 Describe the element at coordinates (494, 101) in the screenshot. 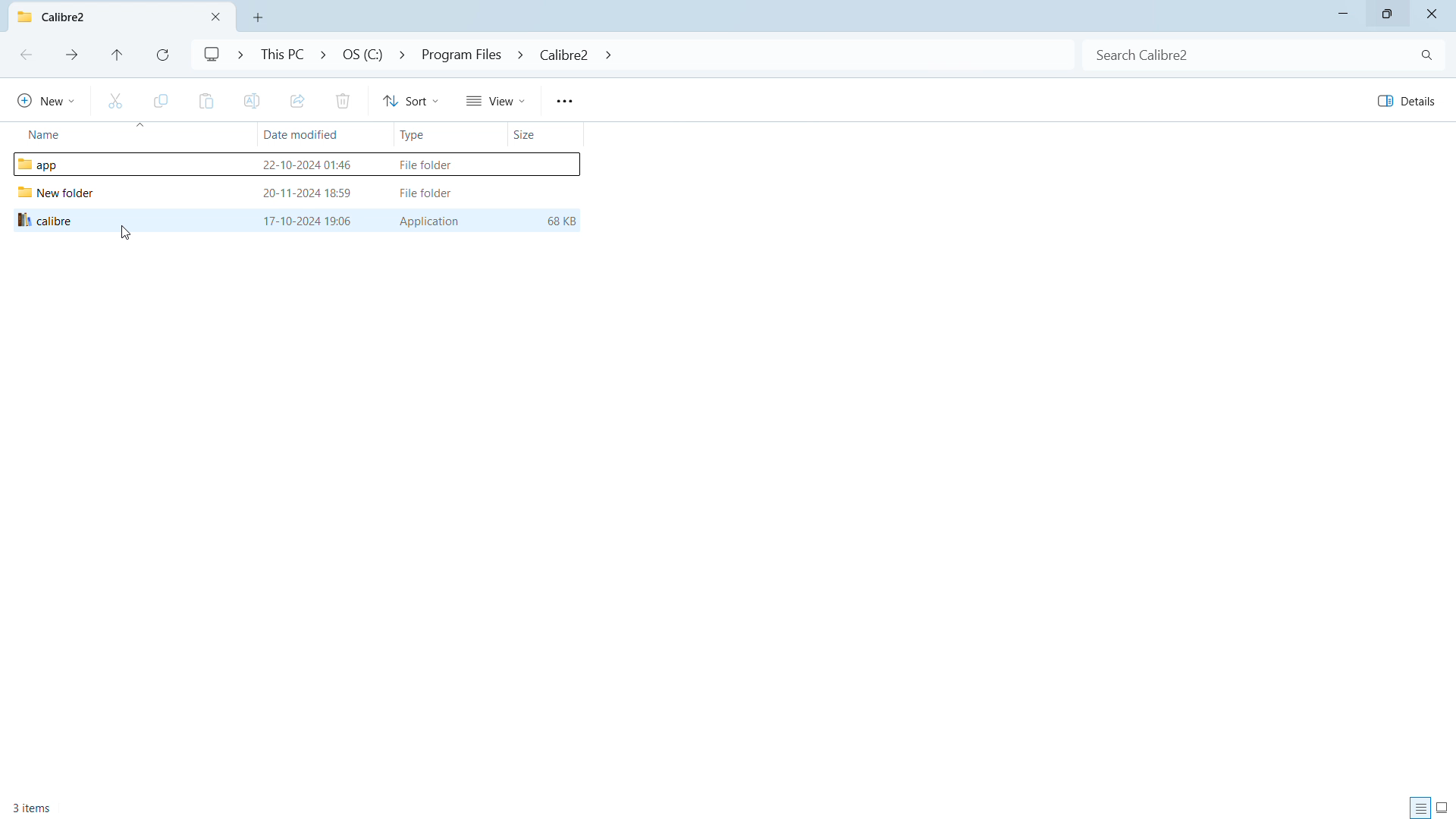

I see `view` at that location.